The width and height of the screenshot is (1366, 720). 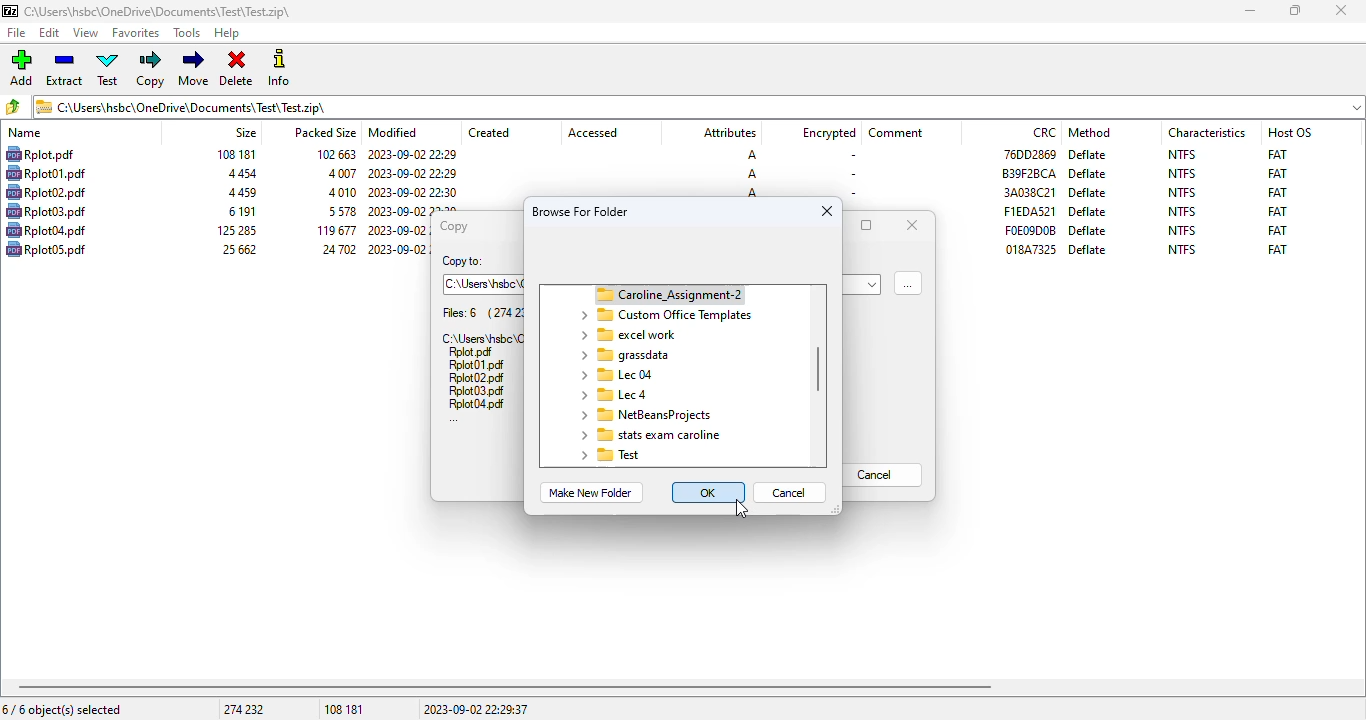 What do you see at coordinates (1031, 249) in the screenshot?
I see `CRC` at bounding box center [1031, 249].